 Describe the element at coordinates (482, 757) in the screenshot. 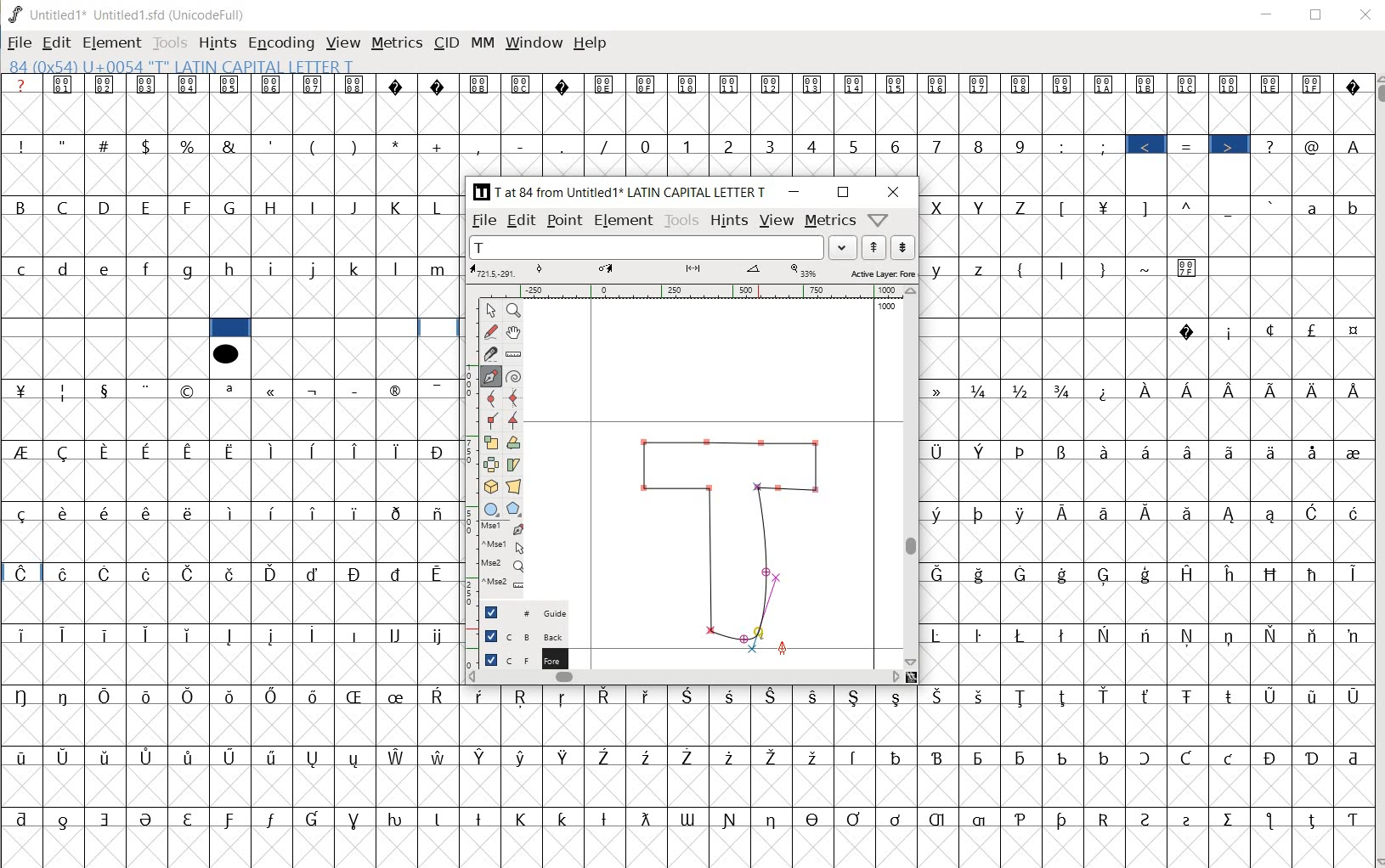

I see `Symbol` at that location.